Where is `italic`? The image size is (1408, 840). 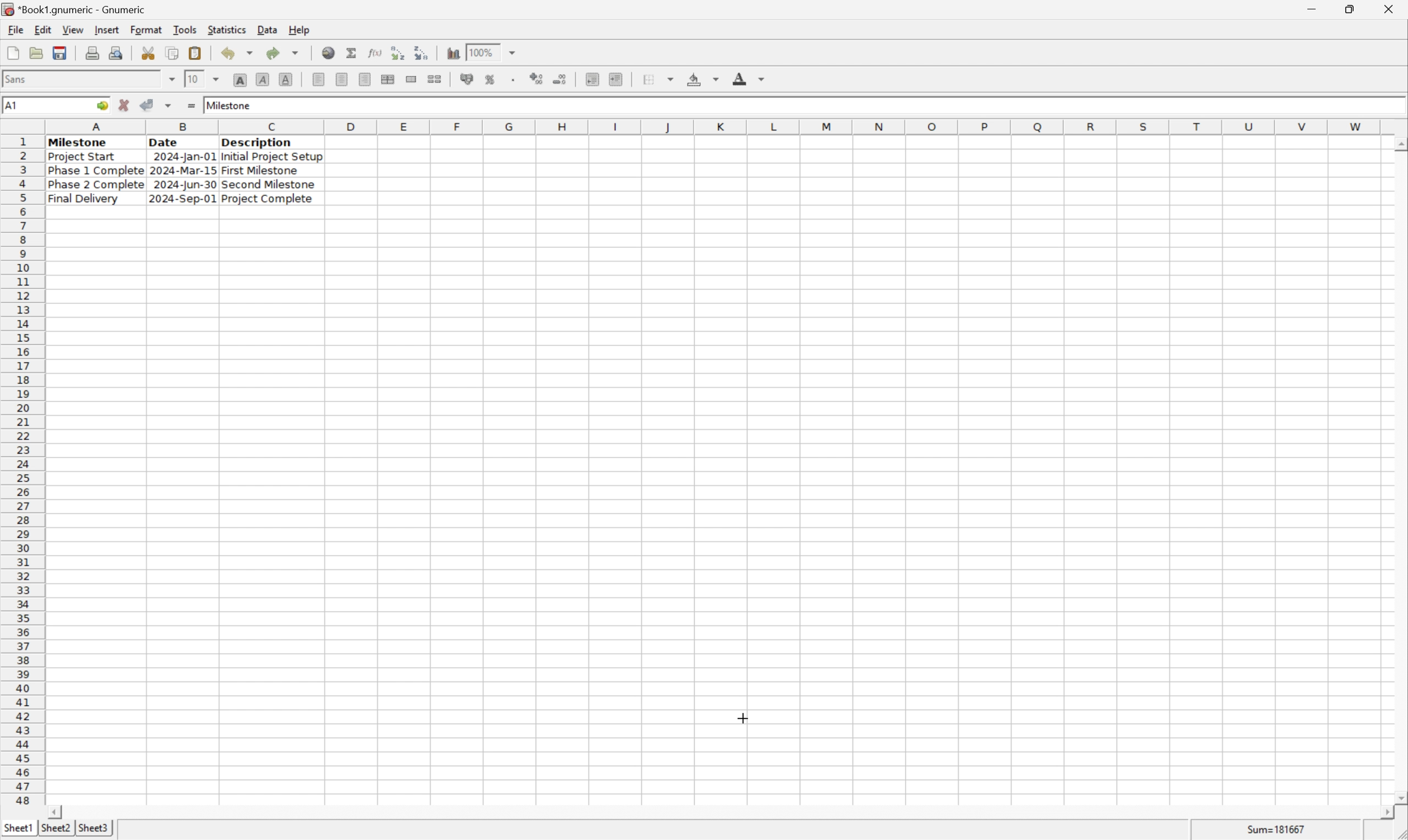 italic is located at coordinates (263, 79).